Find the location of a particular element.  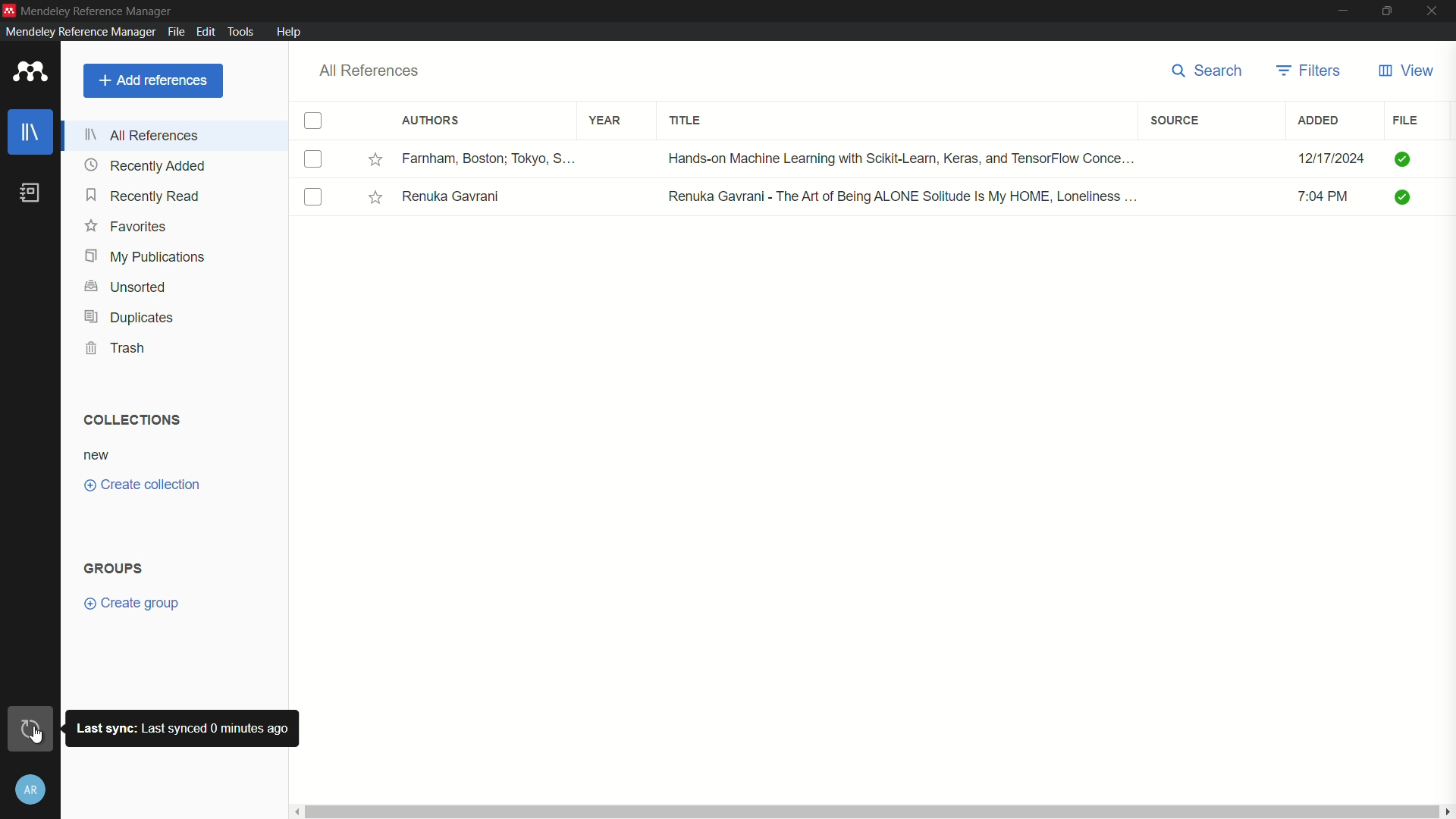

collections is located at coordinates (132, 420).